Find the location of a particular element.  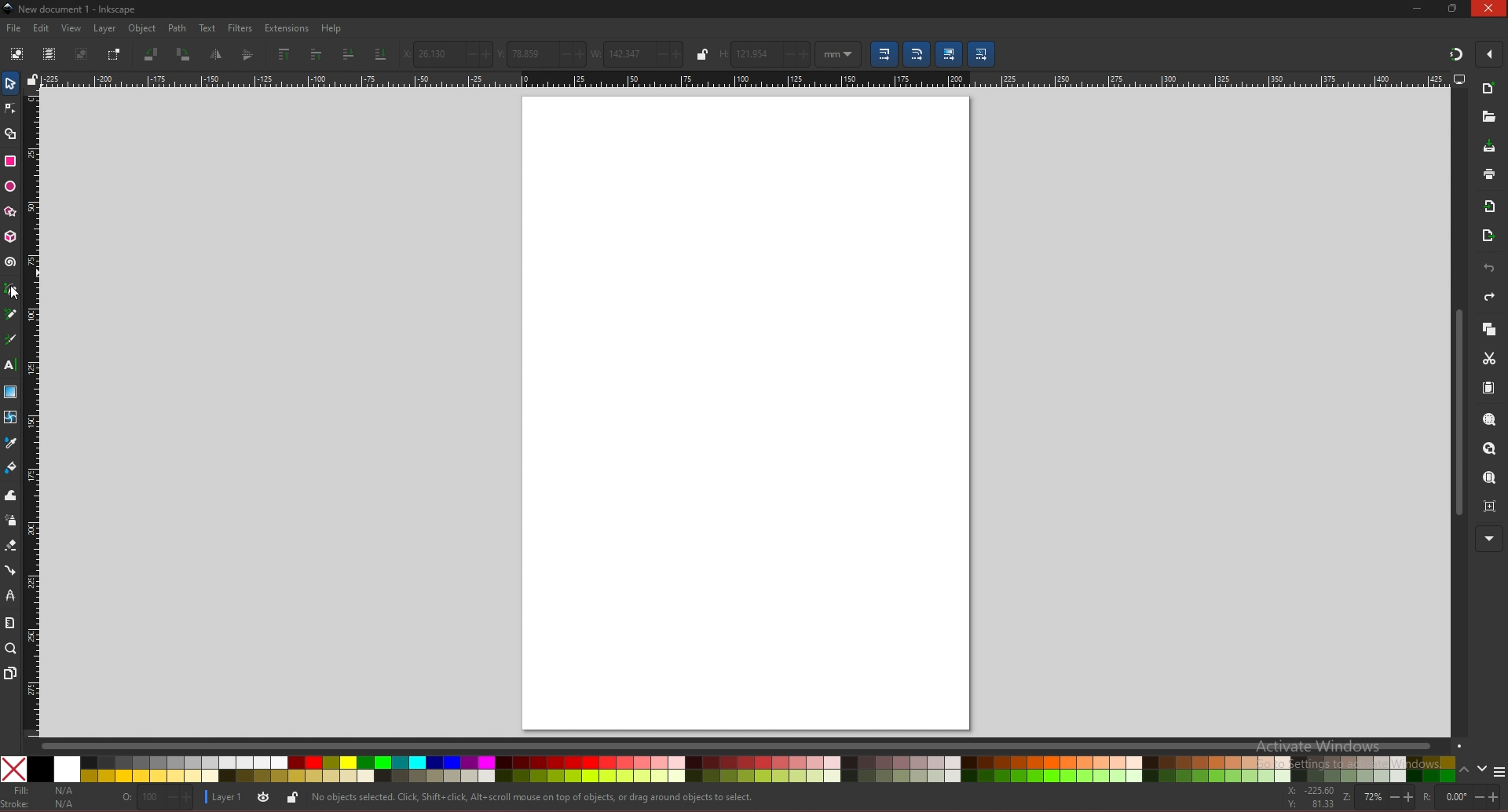

rotation is located at coordinates (1461, 797).